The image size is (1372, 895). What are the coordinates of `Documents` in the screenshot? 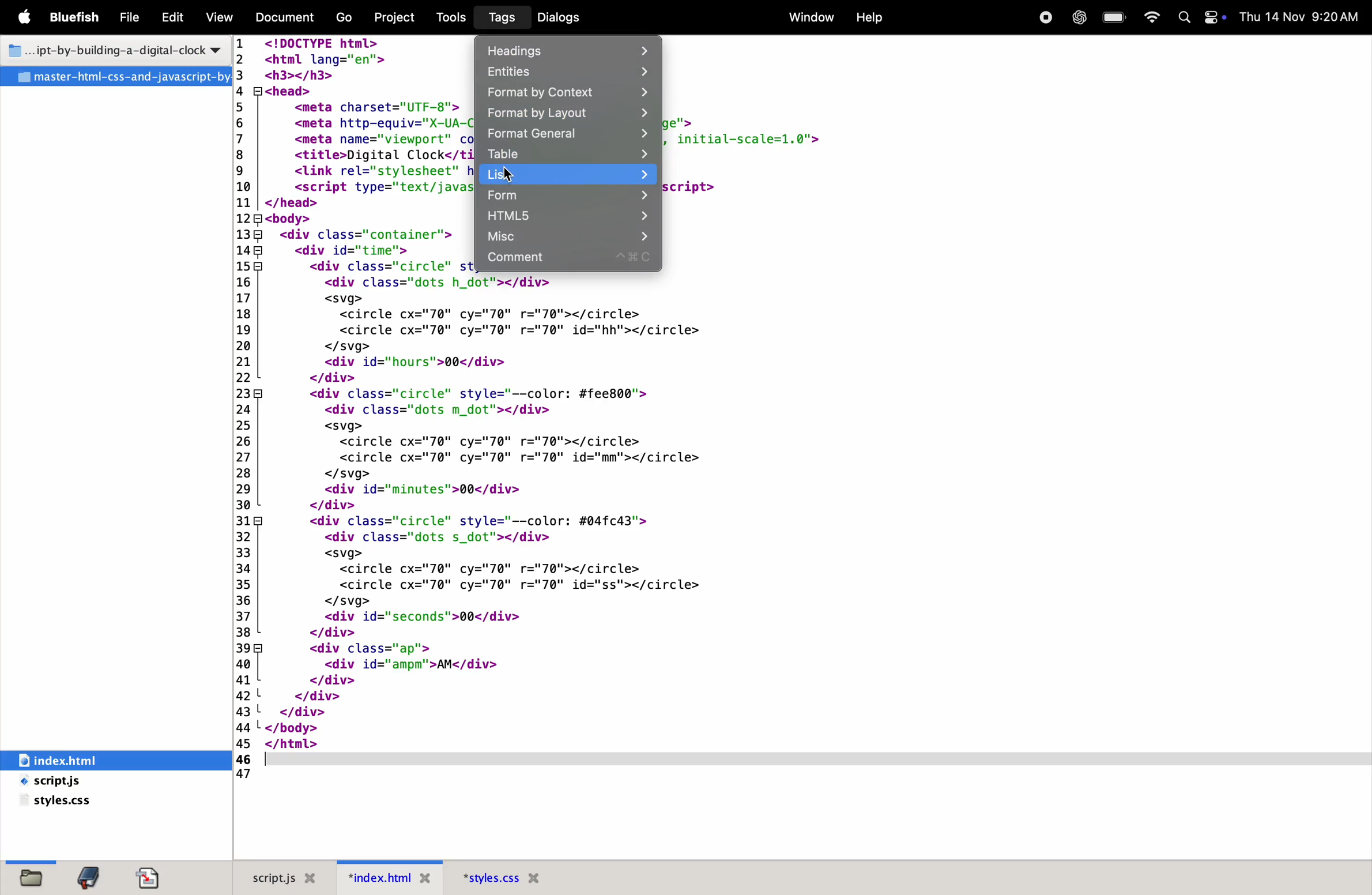 It's located at (287, 18).